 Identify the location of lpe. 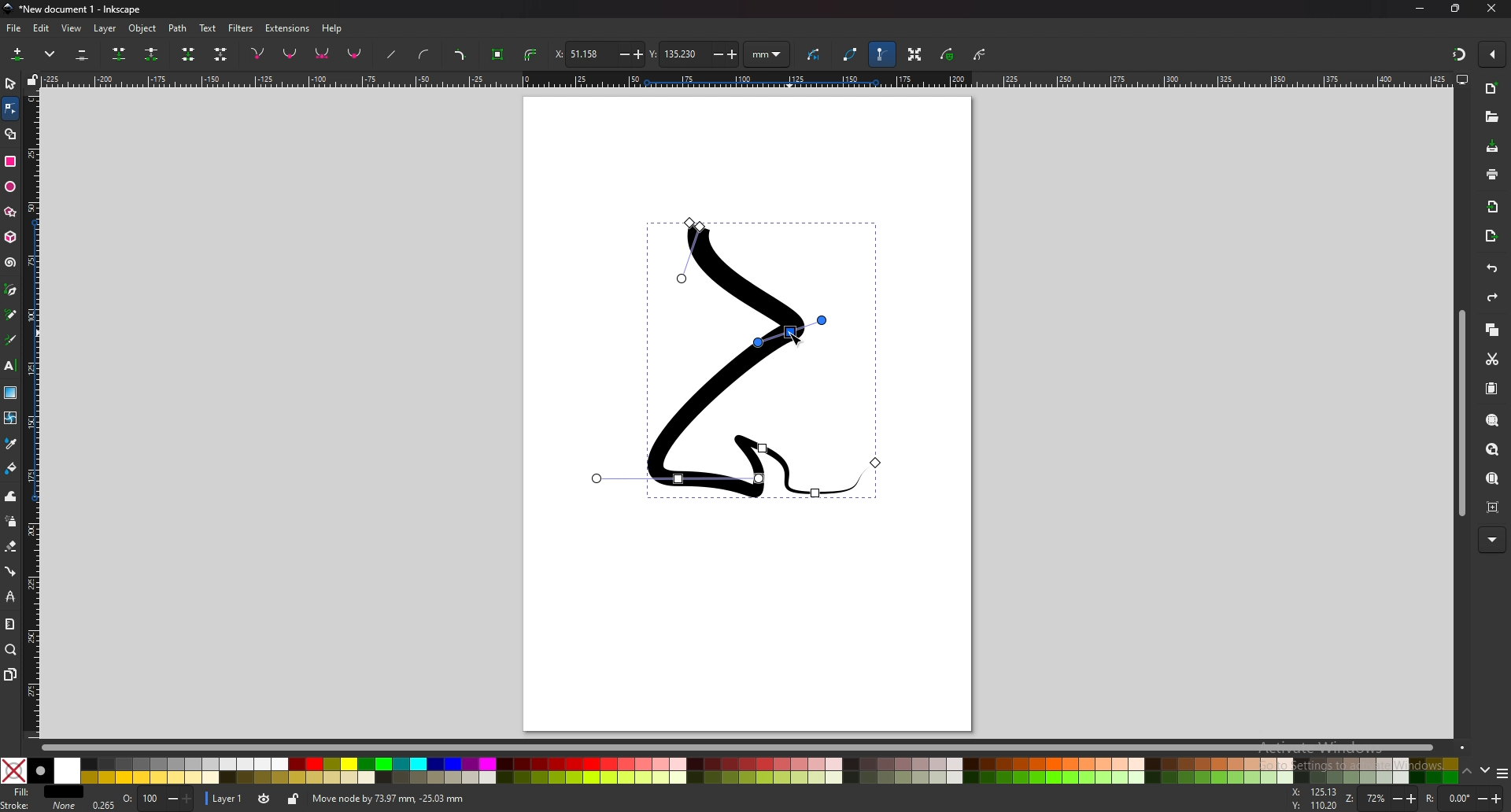
(10, 598).